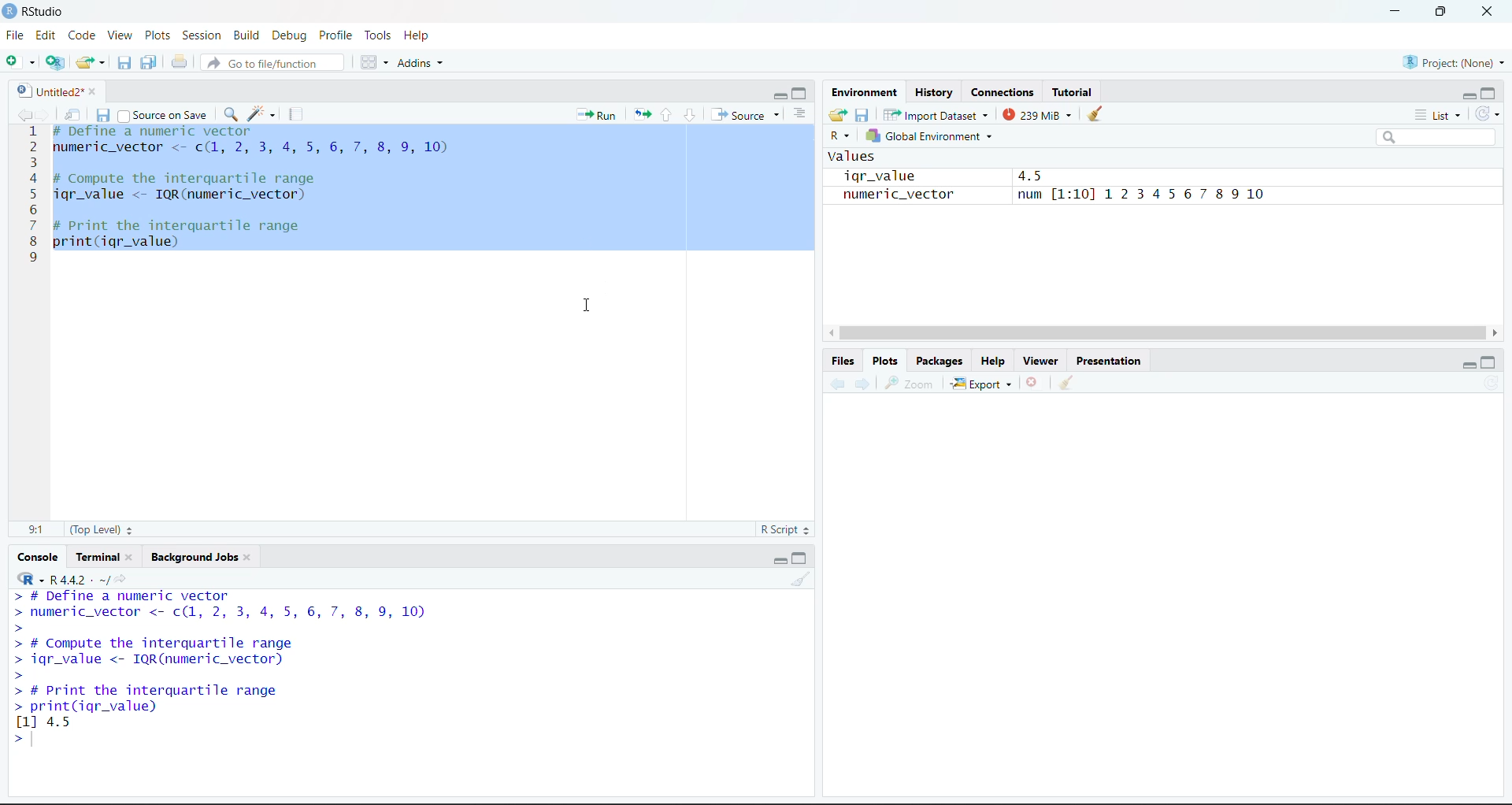 The image size is (1512, 805). What do you see at coordinates (103, 114) in the screenshot?
I see `Save current document (Ctrl + S)` at bounding box center [103, 114].